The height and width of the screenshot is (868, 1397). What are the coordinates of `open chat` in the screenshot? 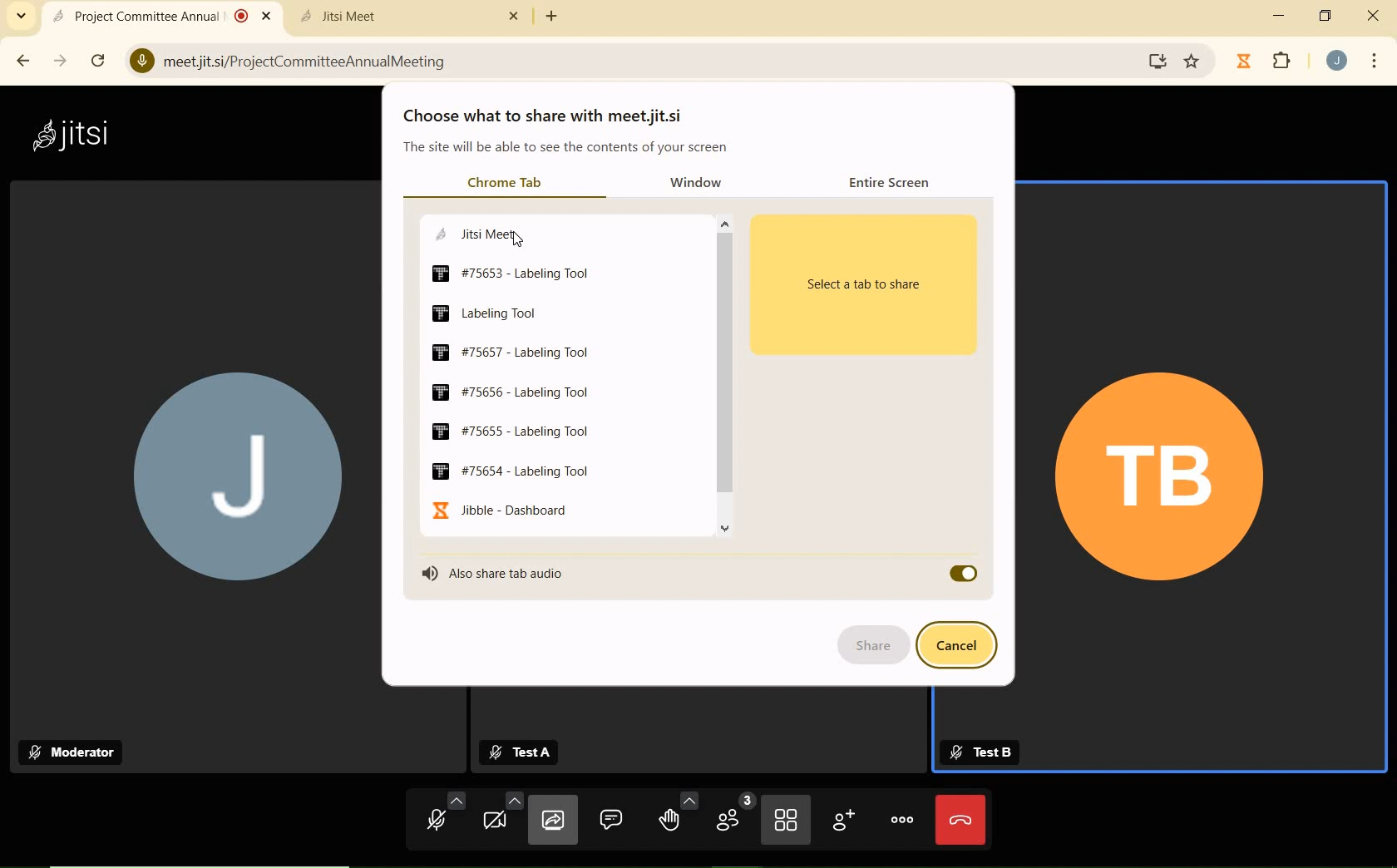 It's located at (613, 819).